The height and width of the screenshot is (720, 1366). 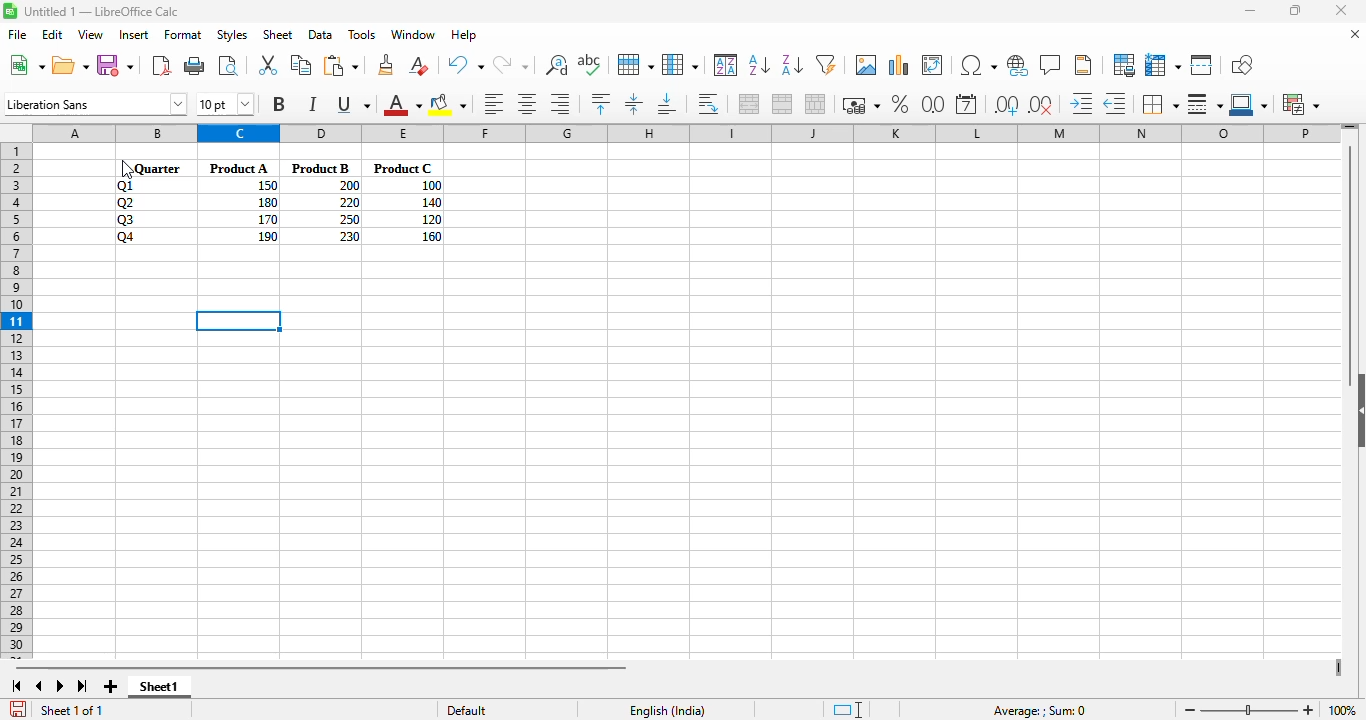 I want to click on format as number, so click(x=933, y=104).